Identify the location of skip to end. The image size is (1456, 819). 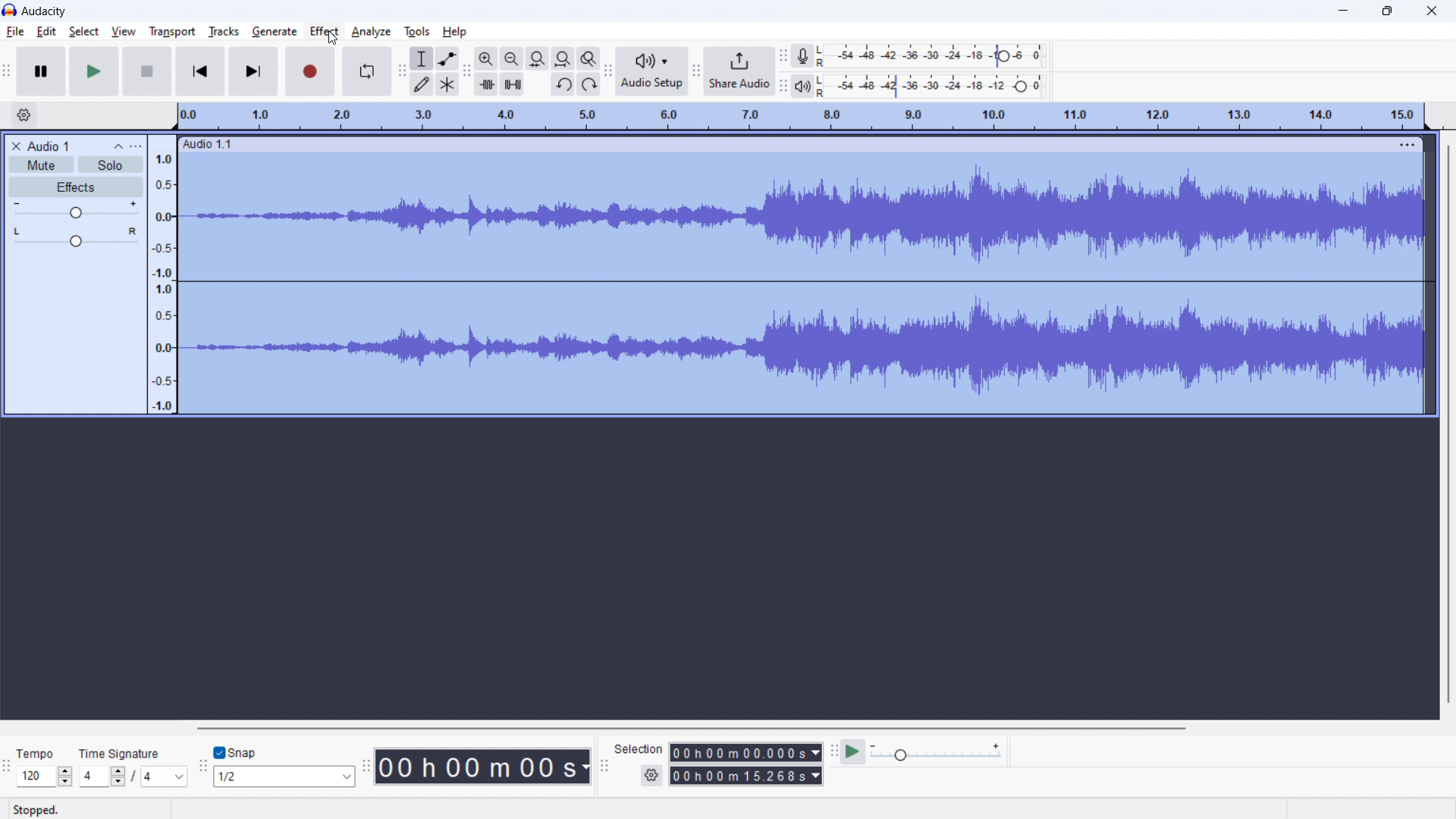
(255, 72).